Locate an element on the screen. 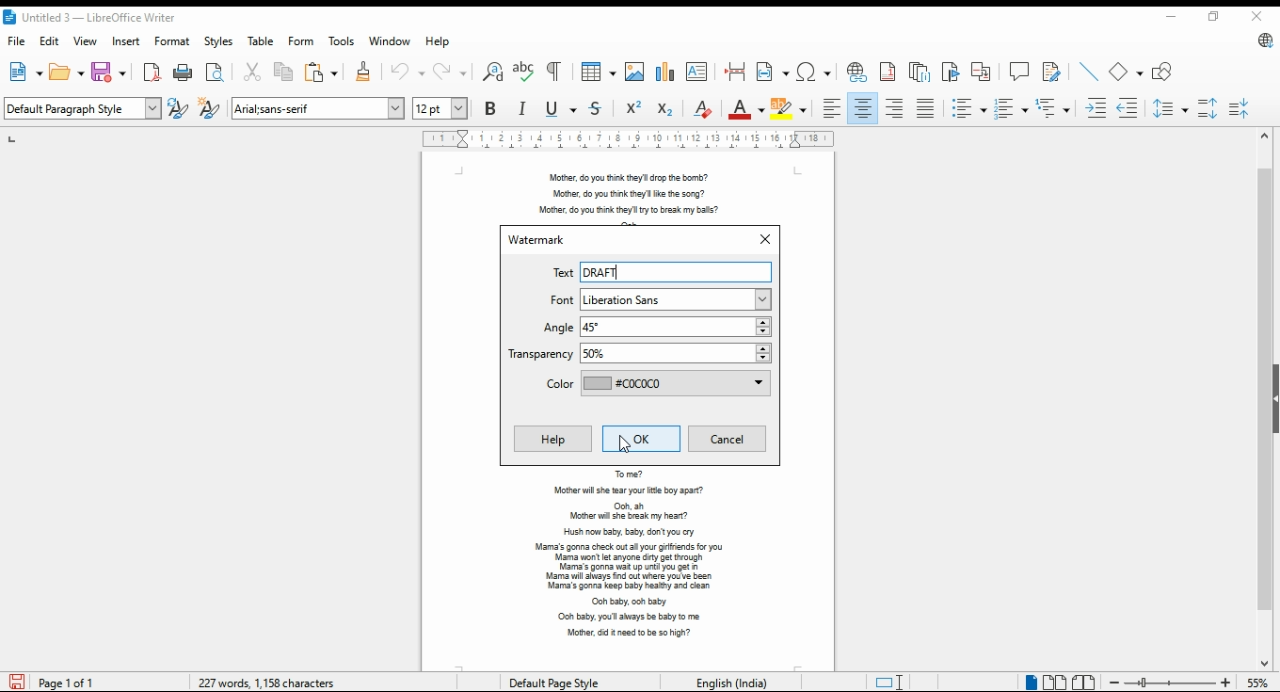 The width and height of the screenshot is (1280, 692). simple shapes is located at coordinates (1125, 72).